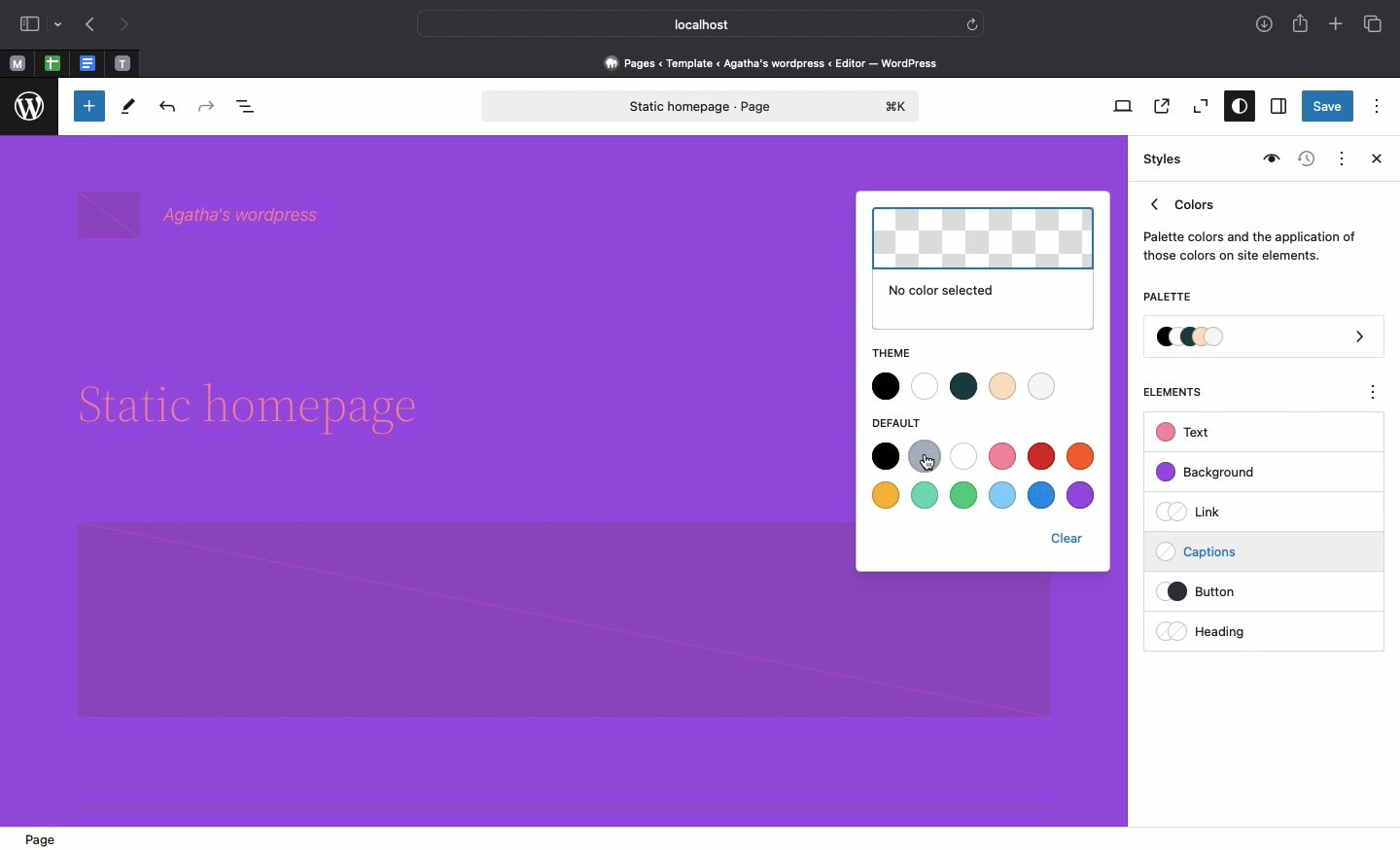 The image size is (1400, 850). Describe the element at coordinates (1198, 107) in the screenshot. I see `Zoom out` at that location.